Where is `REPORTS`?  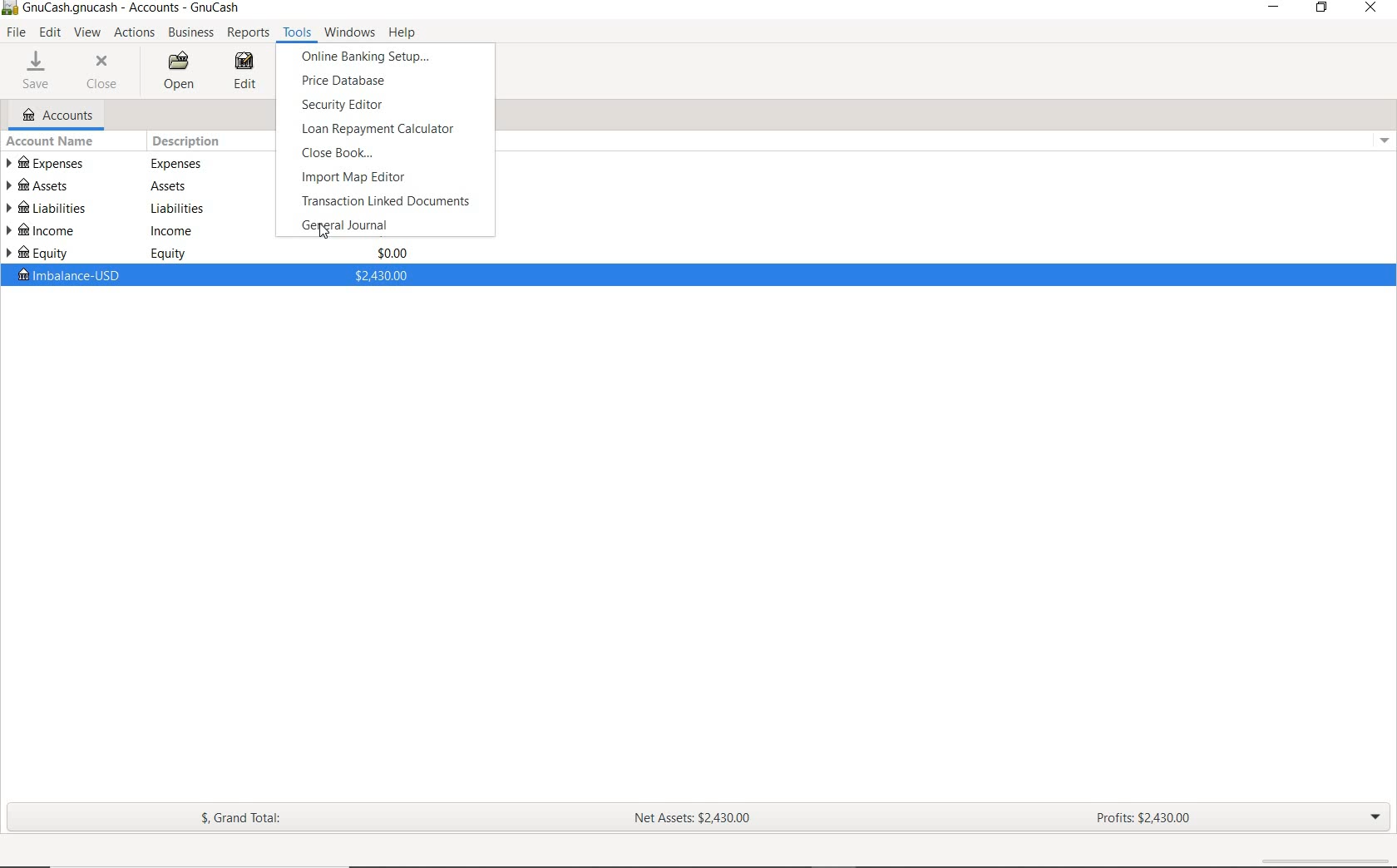
REPORTS is located at coordinates (249, 33).